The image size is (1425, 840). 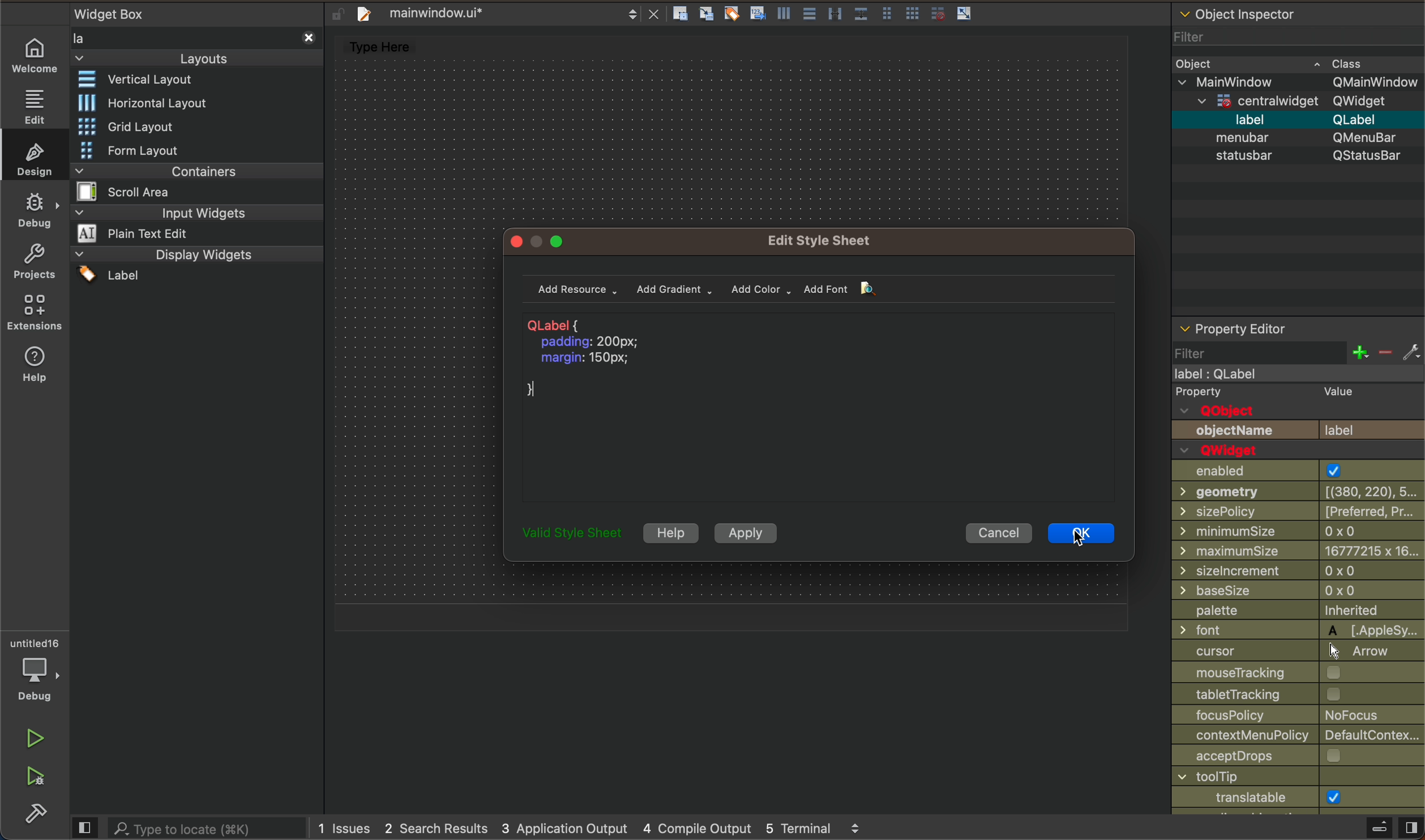 What do you see at coordinates (35, 55) in the screenshot?
I see `welcome` at bounding box center [35, 55].